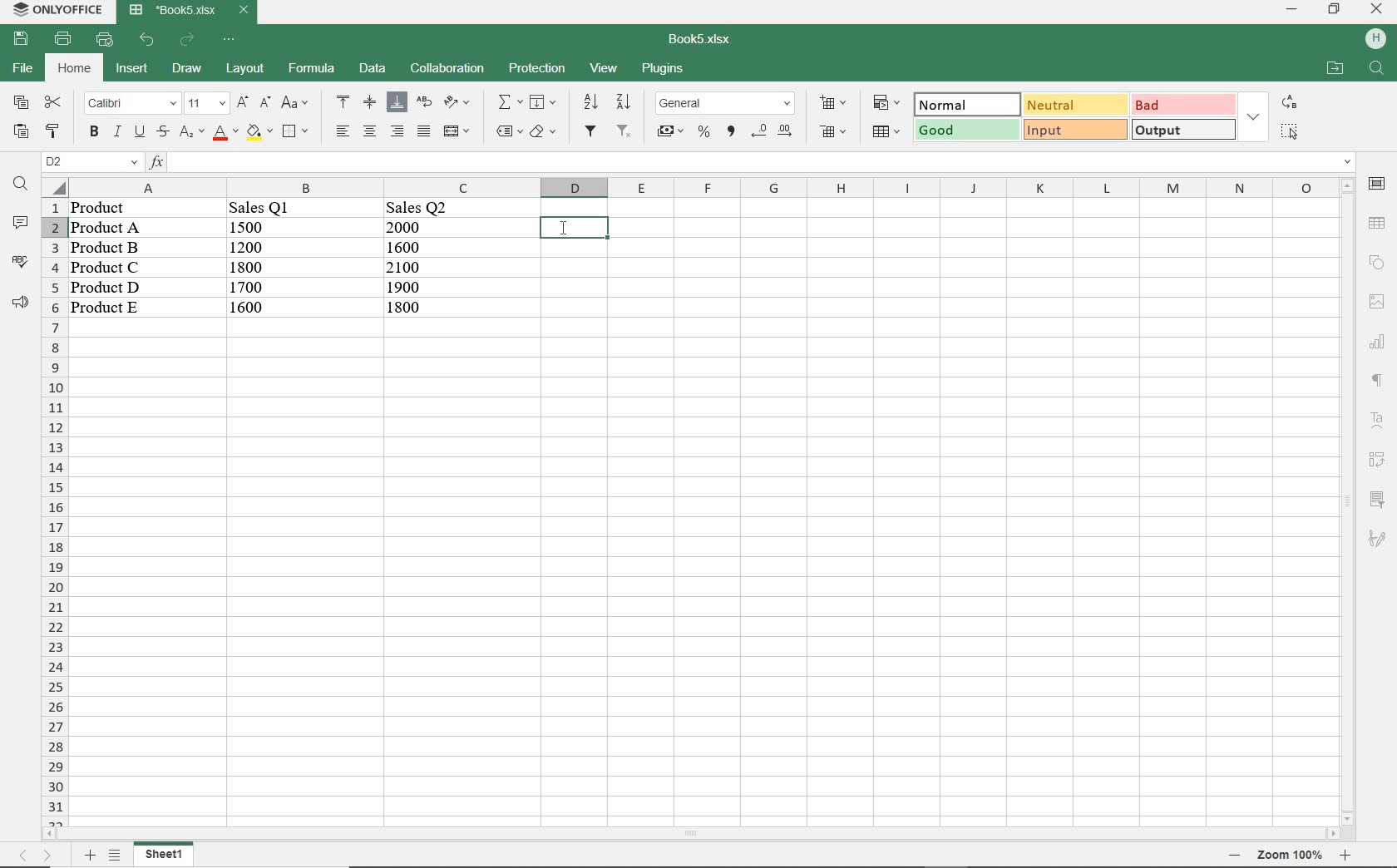 This screenshot has width=1397, height=868. What do you see at coordinates (1377, 540) in the screenshot?
I see `signature` at bounding box center [1377, 540].